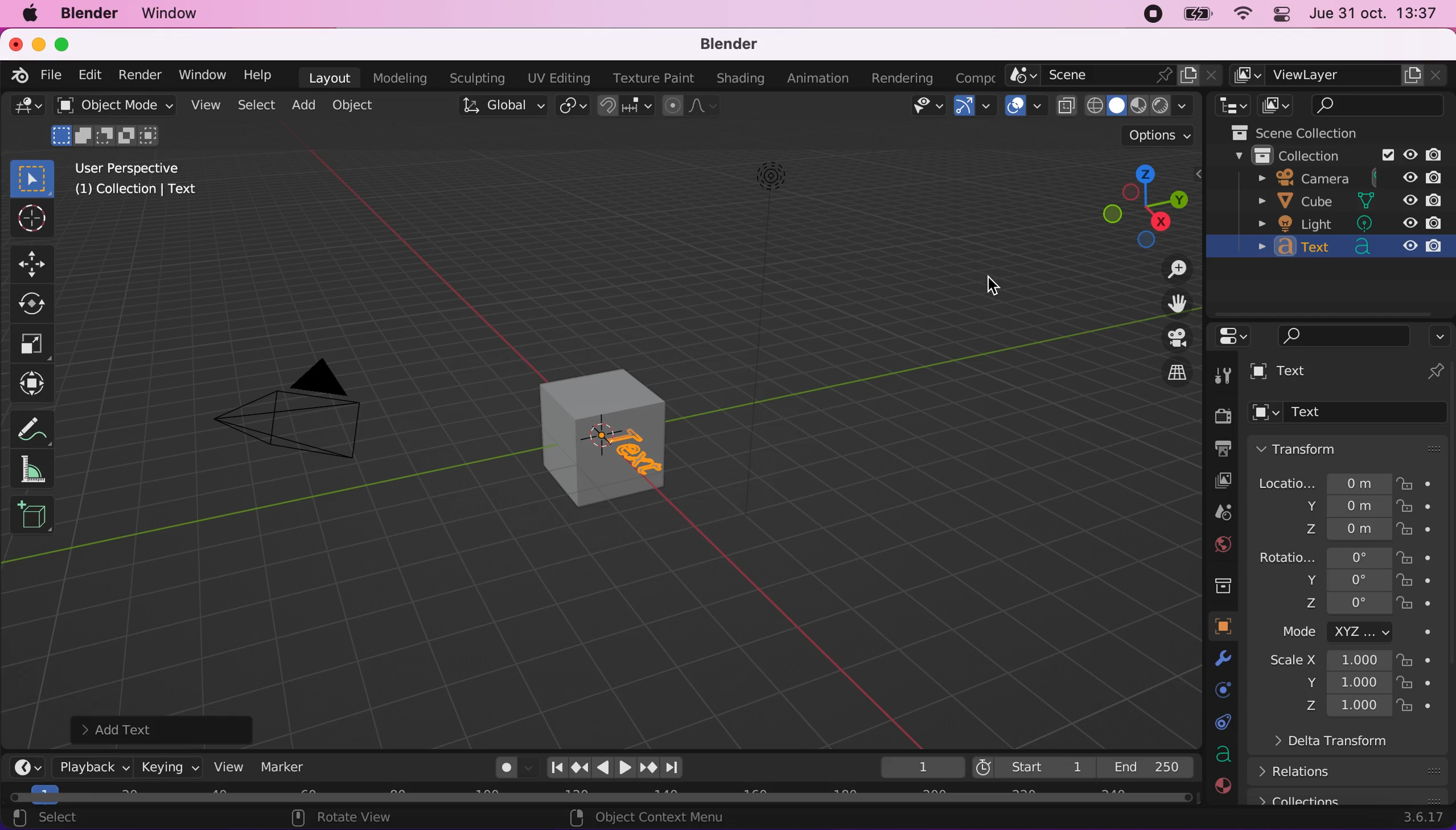 The width and height of the screenshot is (1456, 830). What do you see at coordinates (1433, 372) in the screenshot?
I see `pin` at bounding box center [1433, 372].